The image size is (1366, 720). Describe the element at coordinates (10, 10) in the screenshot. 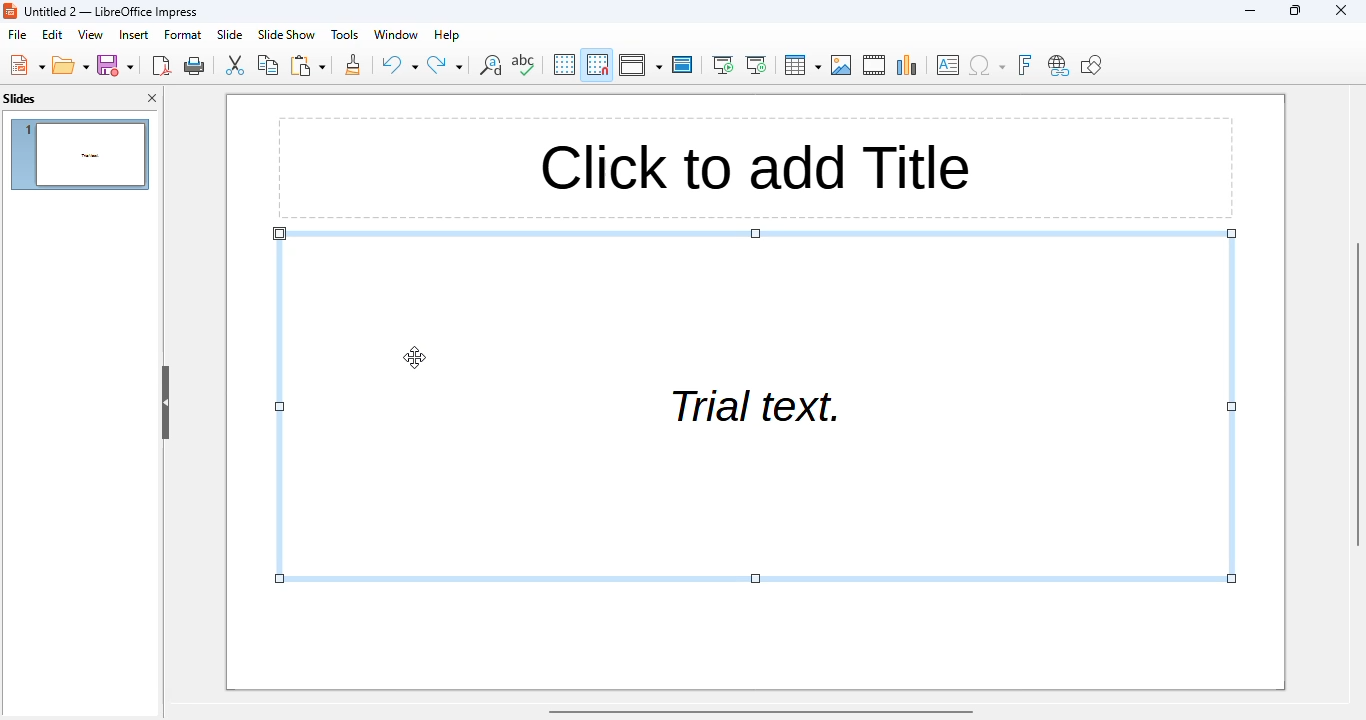

I see `logo` at that location.